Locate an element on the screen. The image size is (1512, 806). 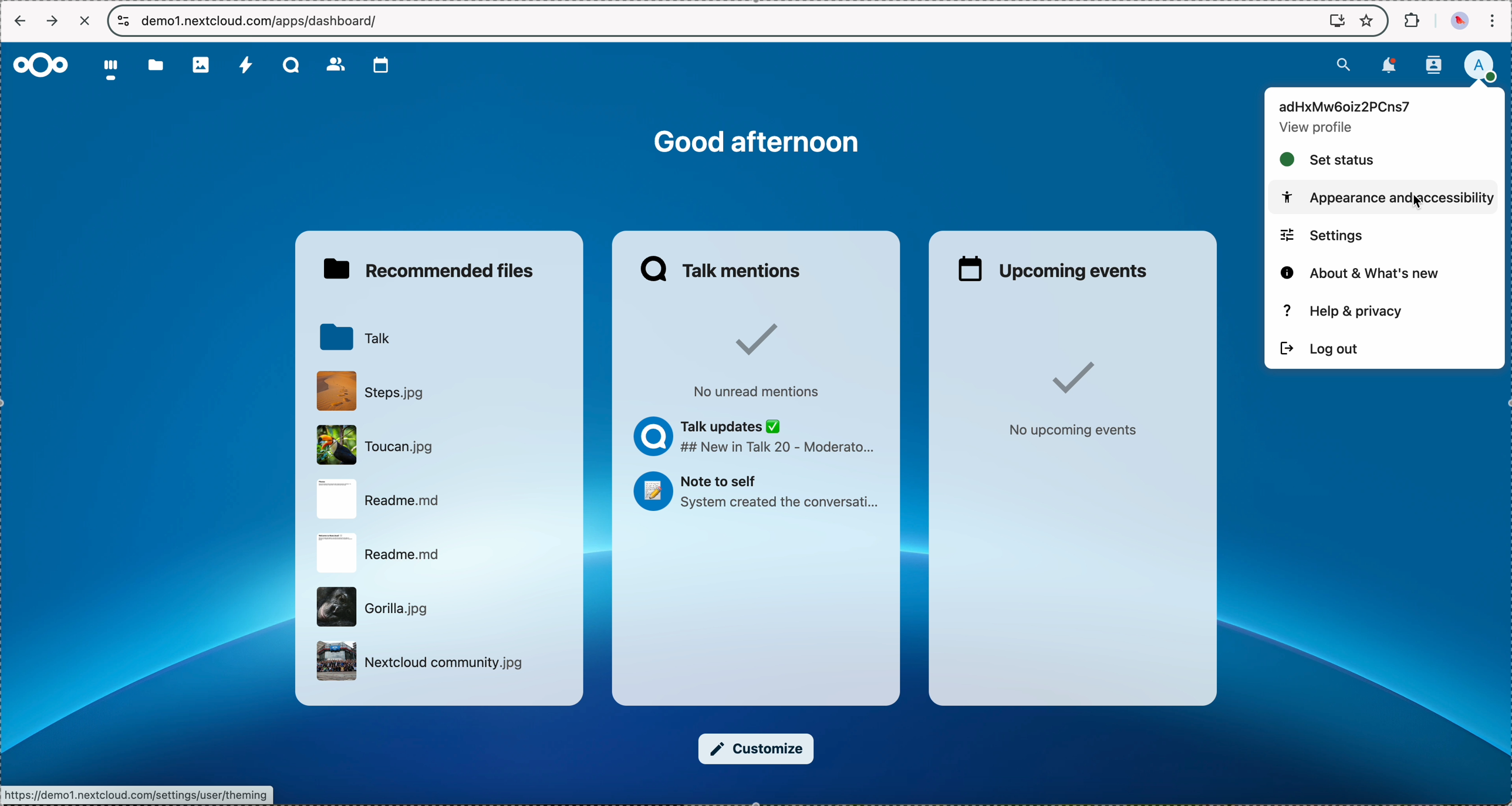
log out is located at coordinates (1321, 347).